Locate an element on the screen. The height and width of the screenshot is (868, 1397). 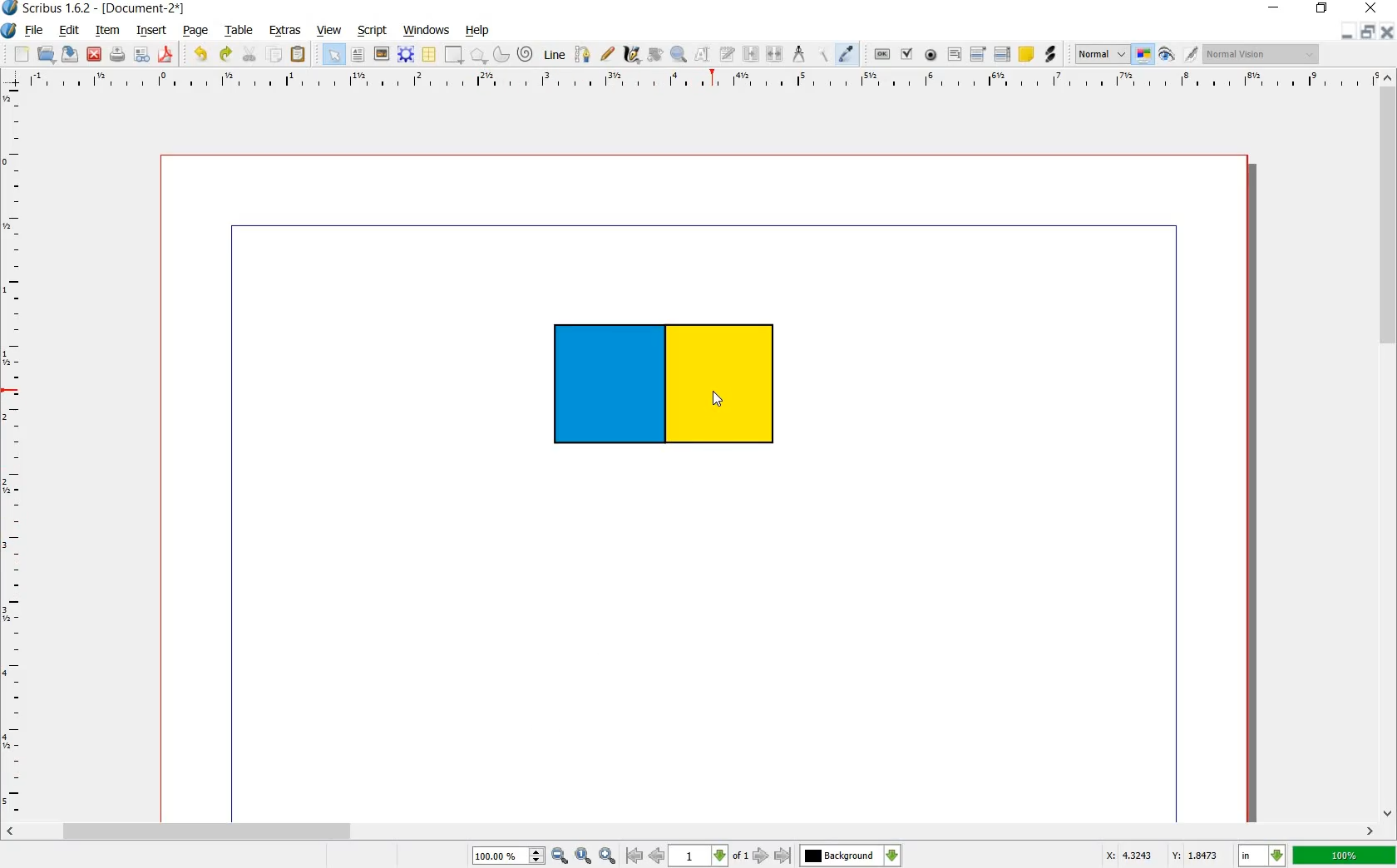
pdf text field is located at coordinates (955, 57).